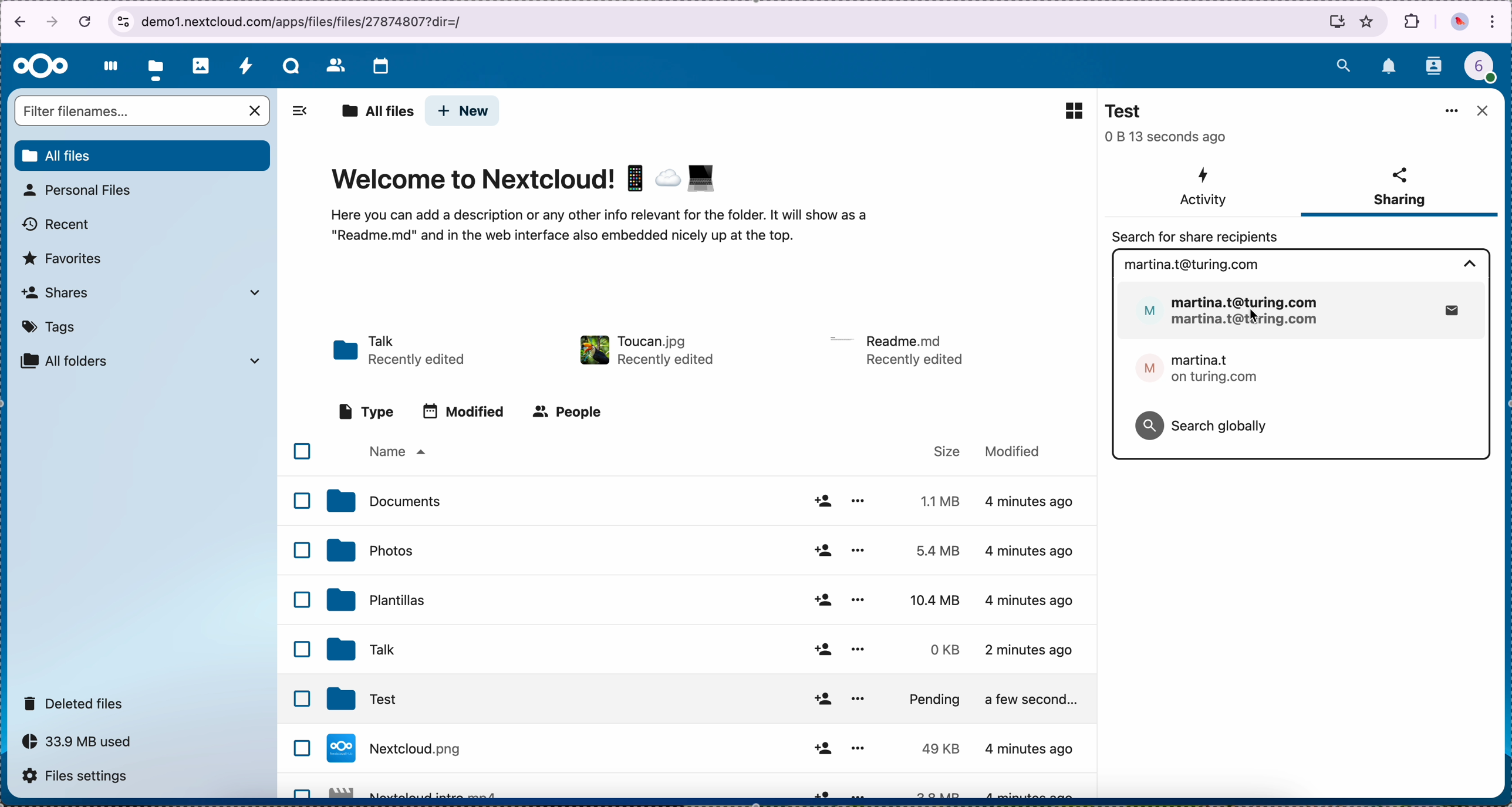 This screenshot has width=1512, height=807. Describe the element at coordinates (58, 225) in the screenshot. I see `recent` at that location.